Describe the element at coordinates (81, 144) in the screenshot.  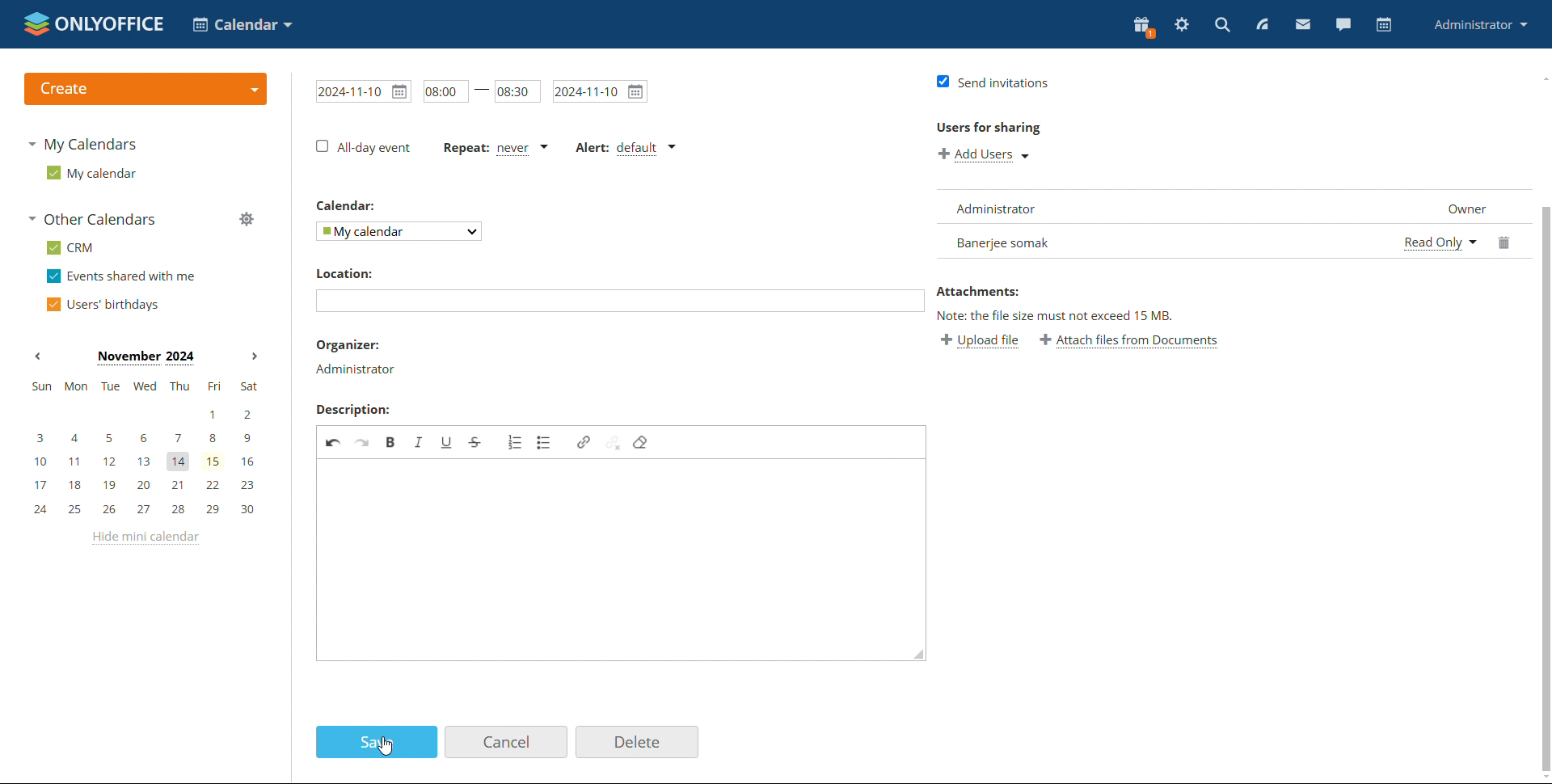
I see `my calendars` at that location.